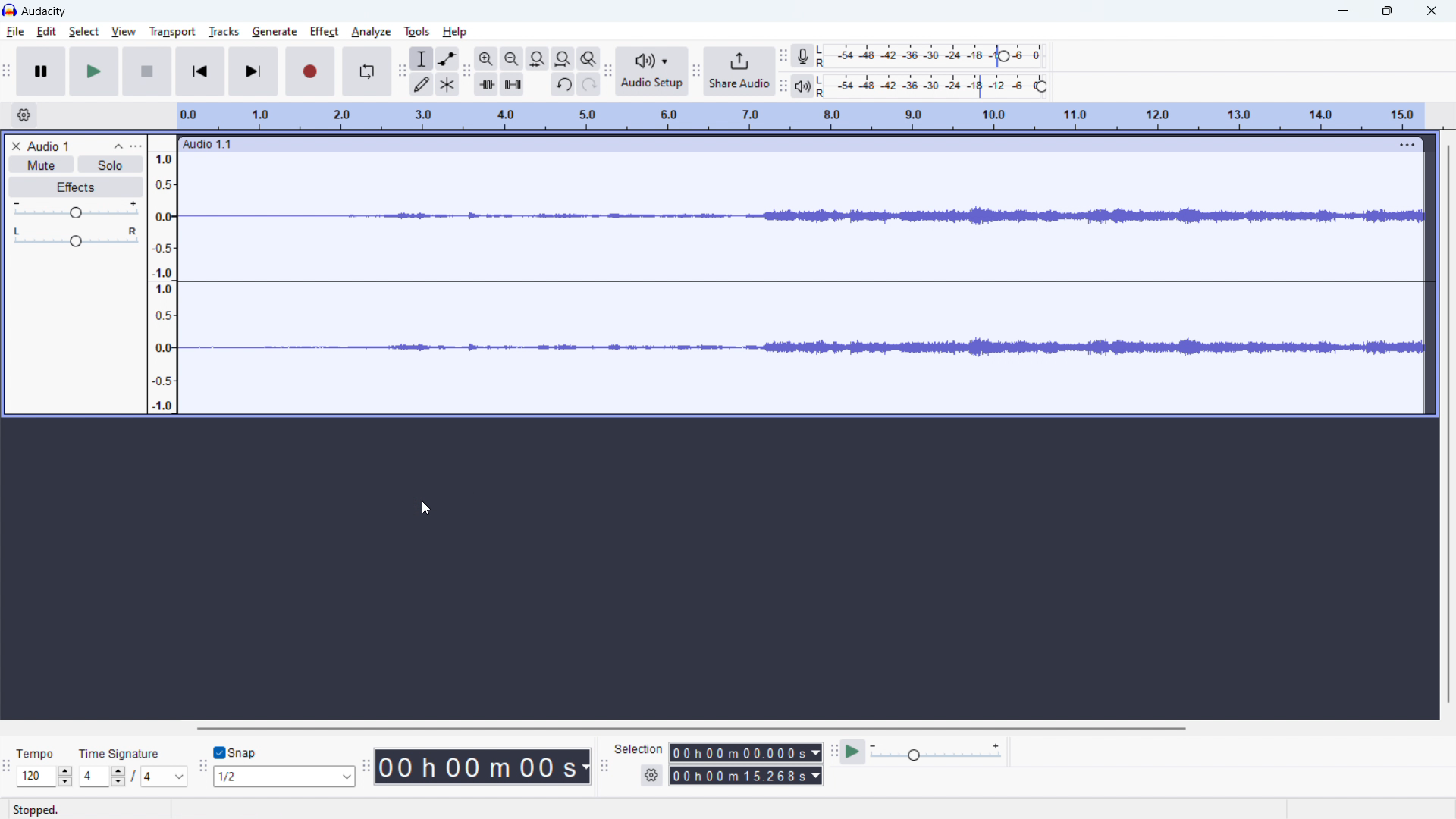 The height and width of the screenshot is (819, 1456). I want to click on Tempo, so click(31, 750).